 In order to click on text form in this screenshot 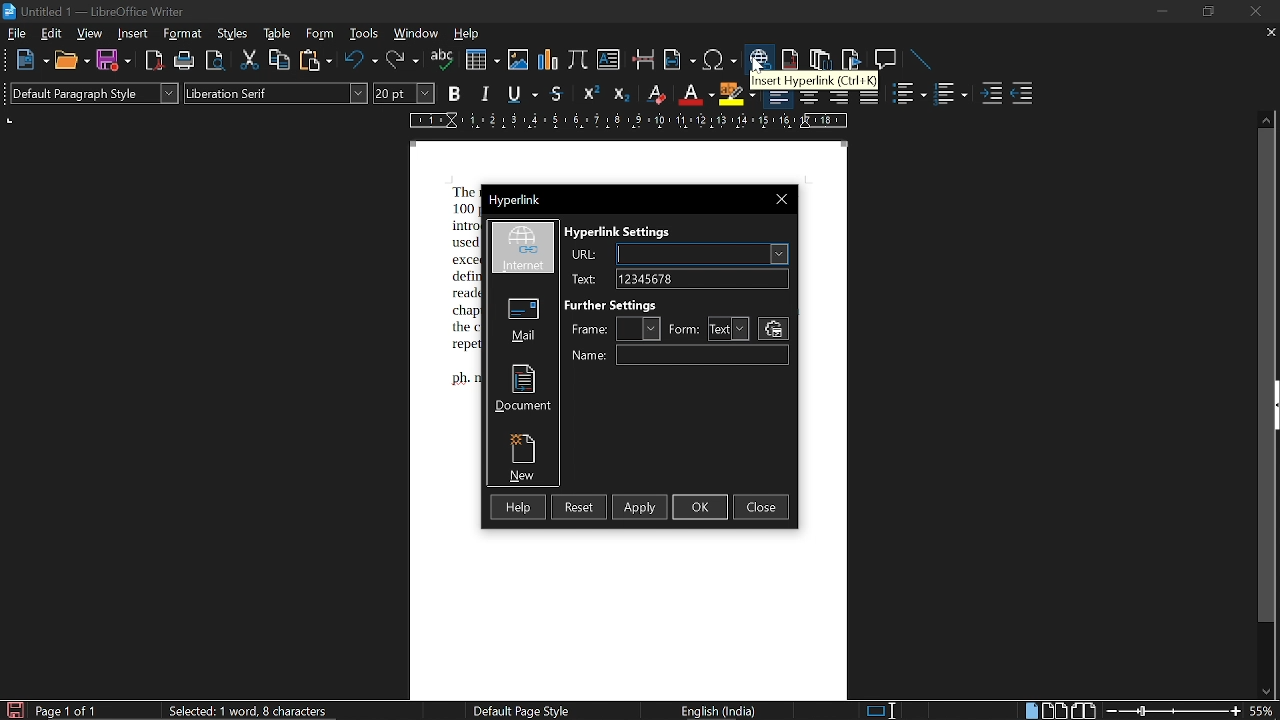, I will do `click(729, 329)`.